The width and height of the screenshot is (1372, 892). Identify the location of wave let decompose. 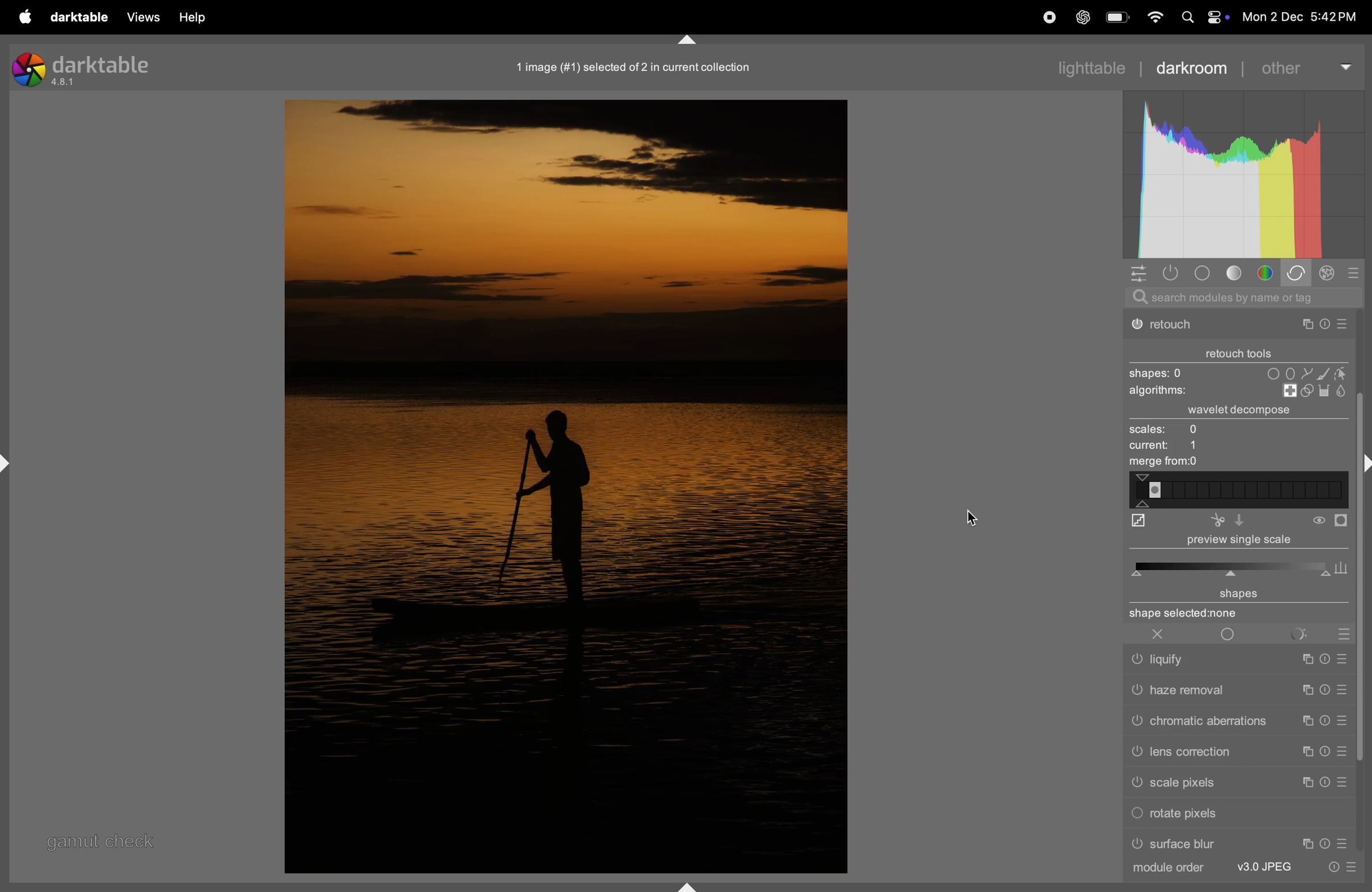
(1245, 411).